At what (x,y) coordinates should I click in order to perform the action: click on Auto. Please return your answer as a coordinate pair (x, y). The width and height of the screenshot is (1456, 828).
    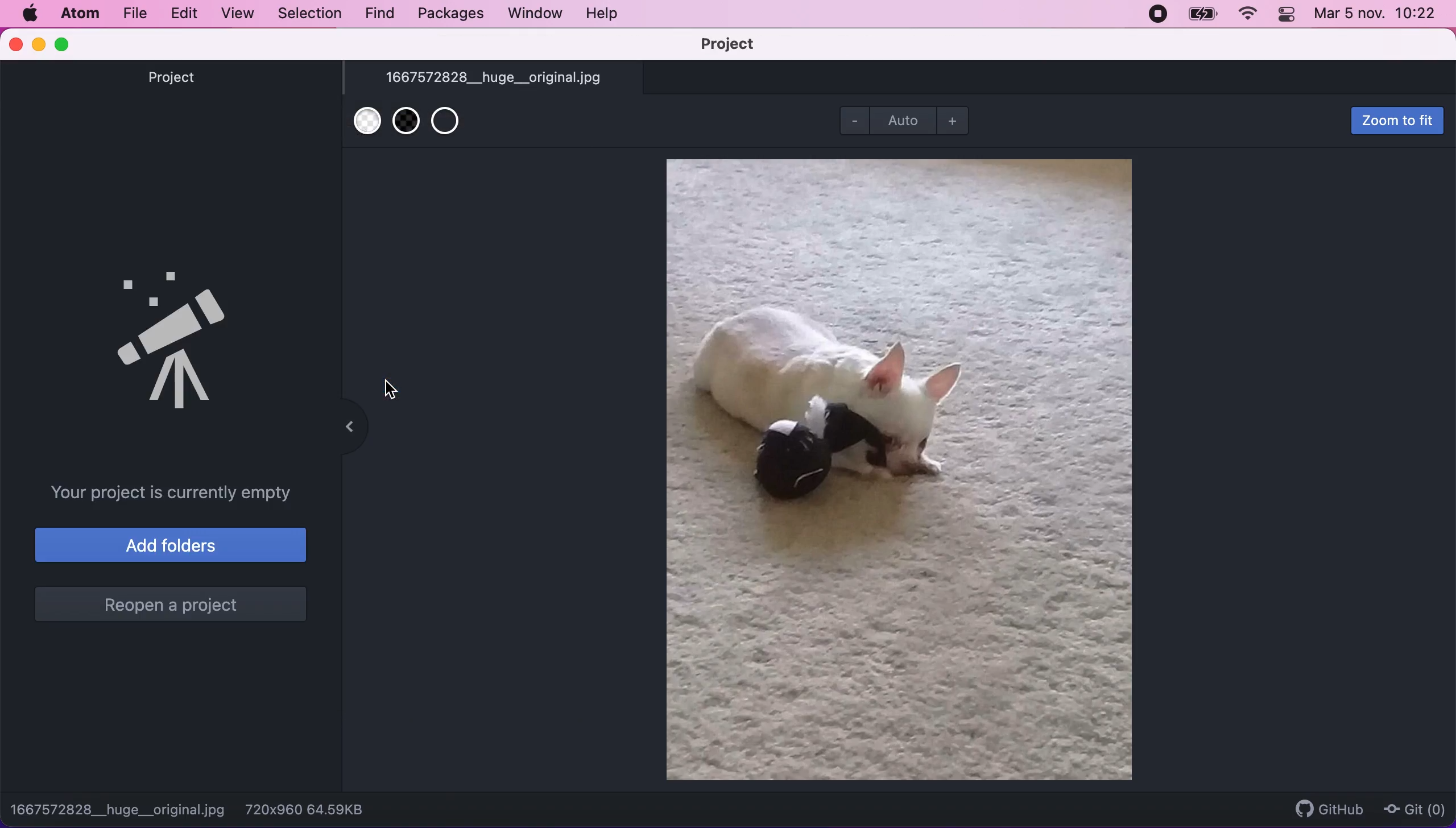
    Looking at the image, I should click on (905, 119).